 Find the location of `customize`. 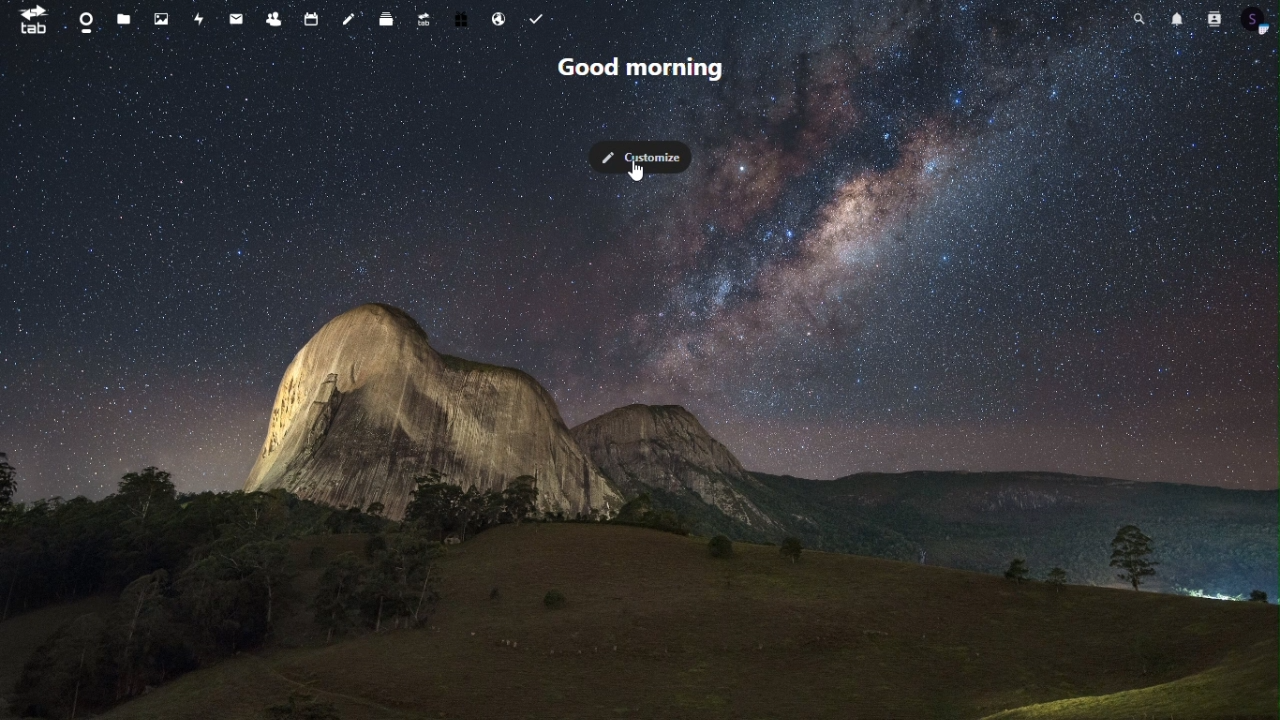

customize is located at coordinates (641, 157).